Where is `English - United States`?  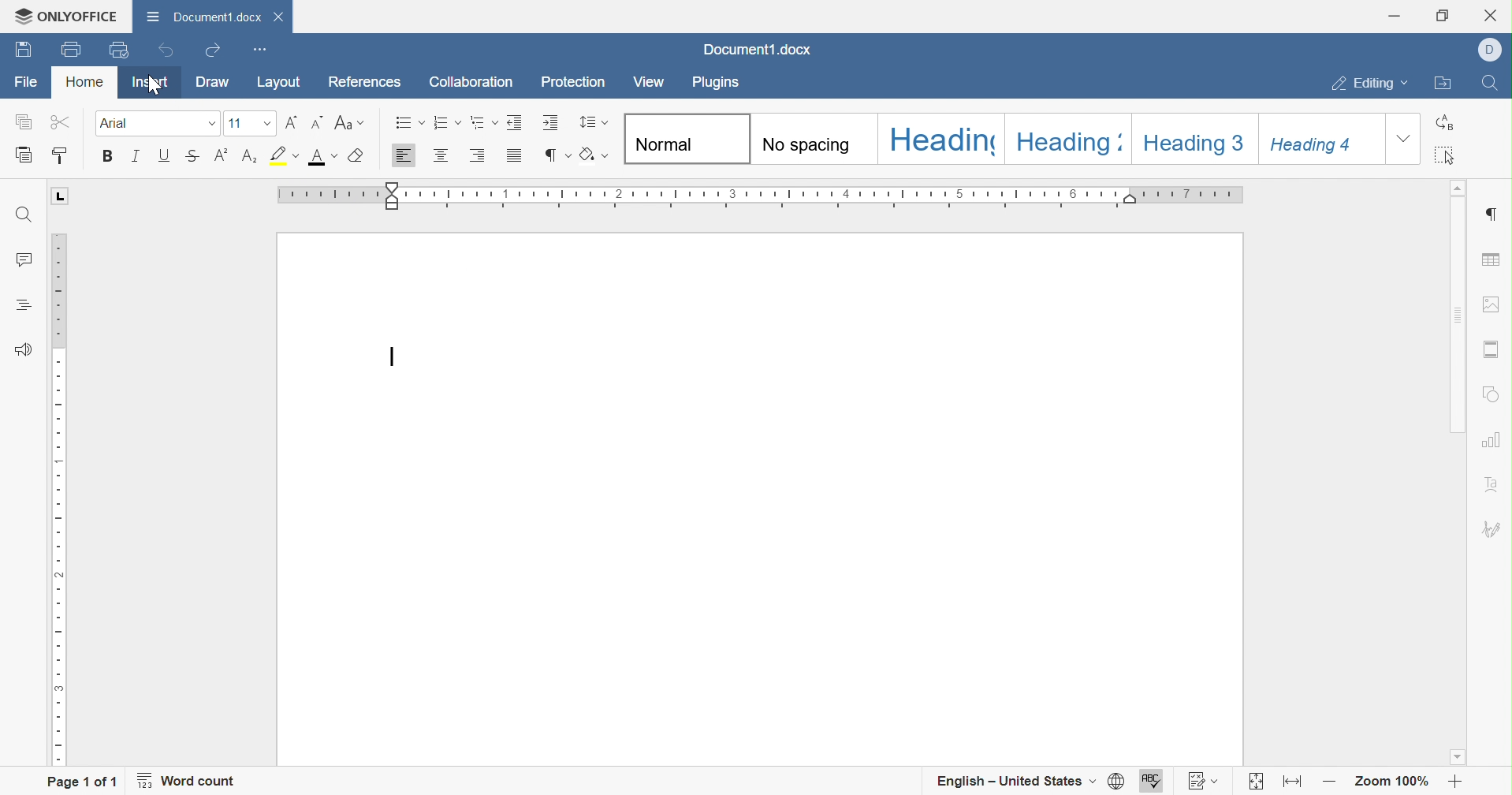
English - United States is located at coordinates (1015, 779).